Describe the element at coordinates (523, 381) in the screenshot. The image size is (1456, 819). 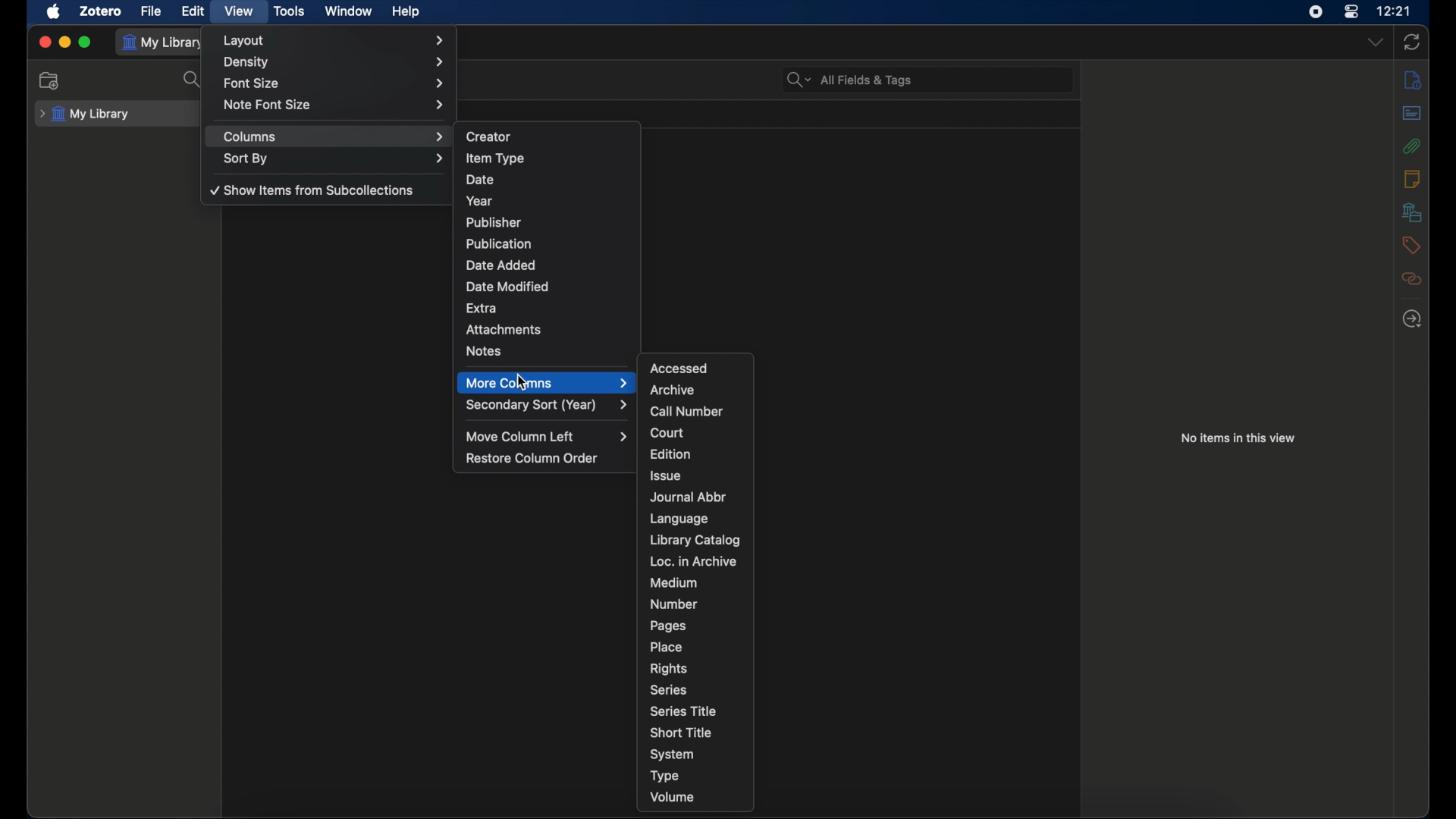
I see `cursor` at that location.